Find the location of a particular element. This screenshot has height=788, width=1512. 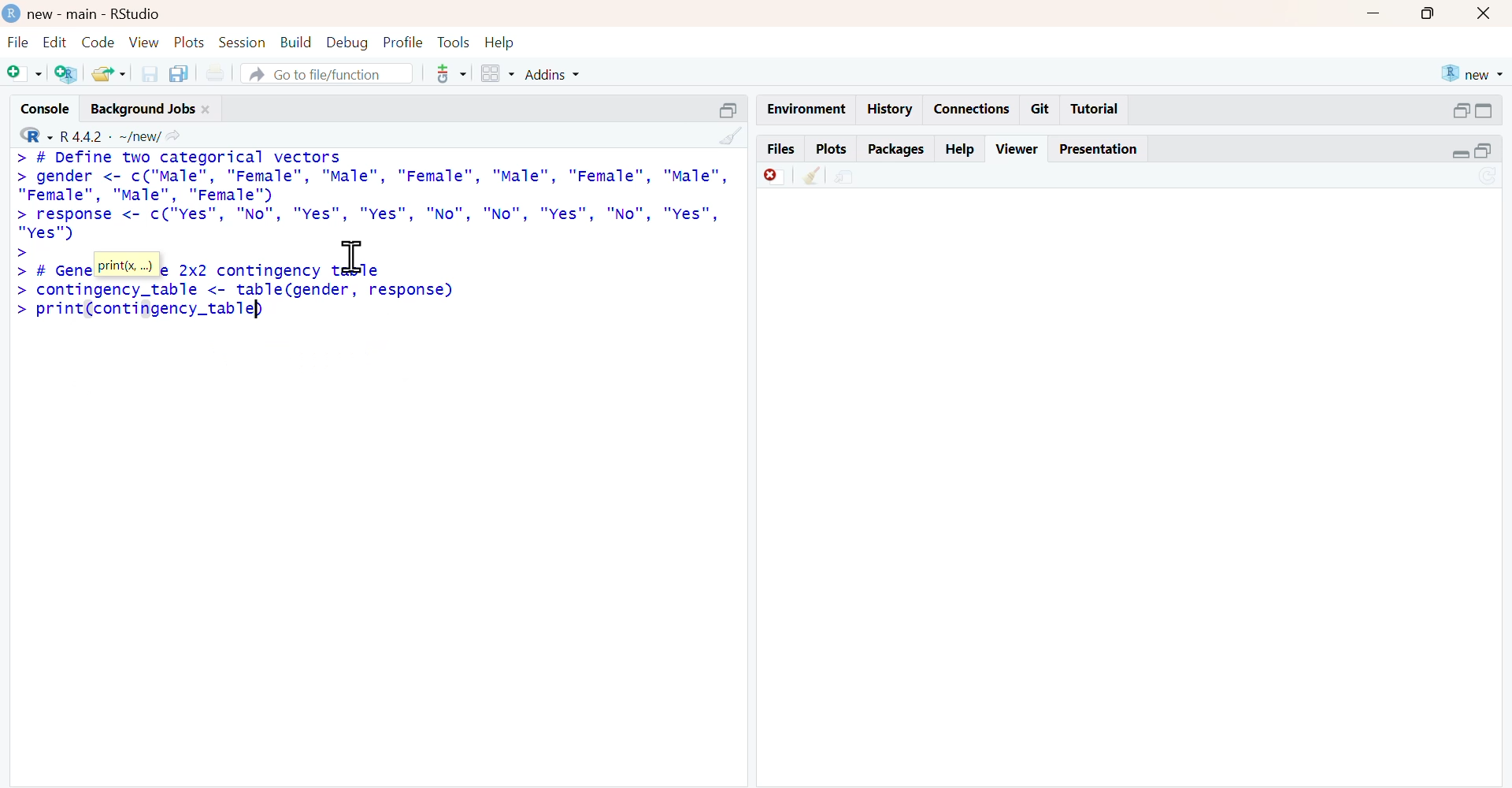

close is located at coordinates (207, 110).